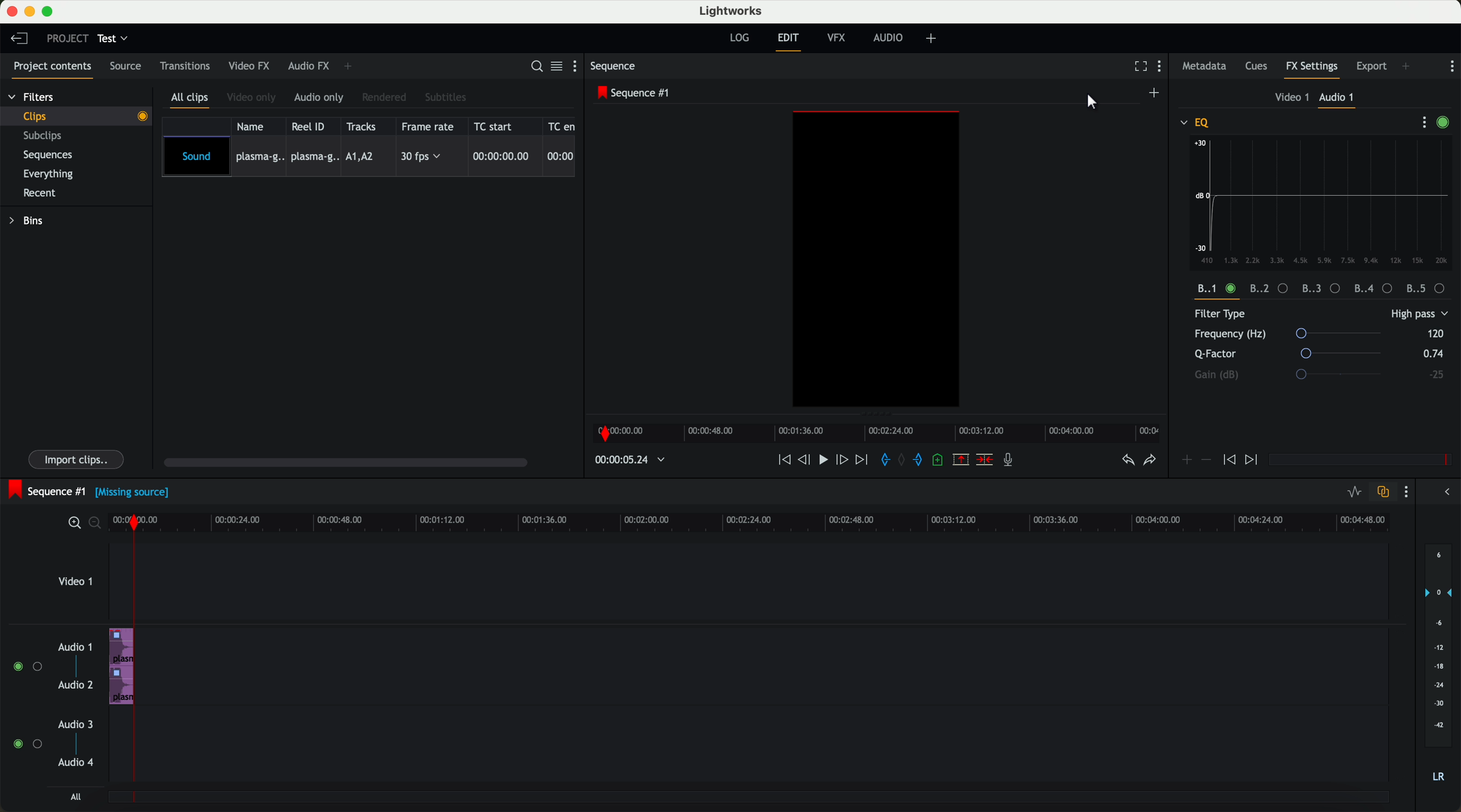 Image resolution: width=1461 pixels, height=812 pixels. I want to click on Filters tab, so click(31, 99).